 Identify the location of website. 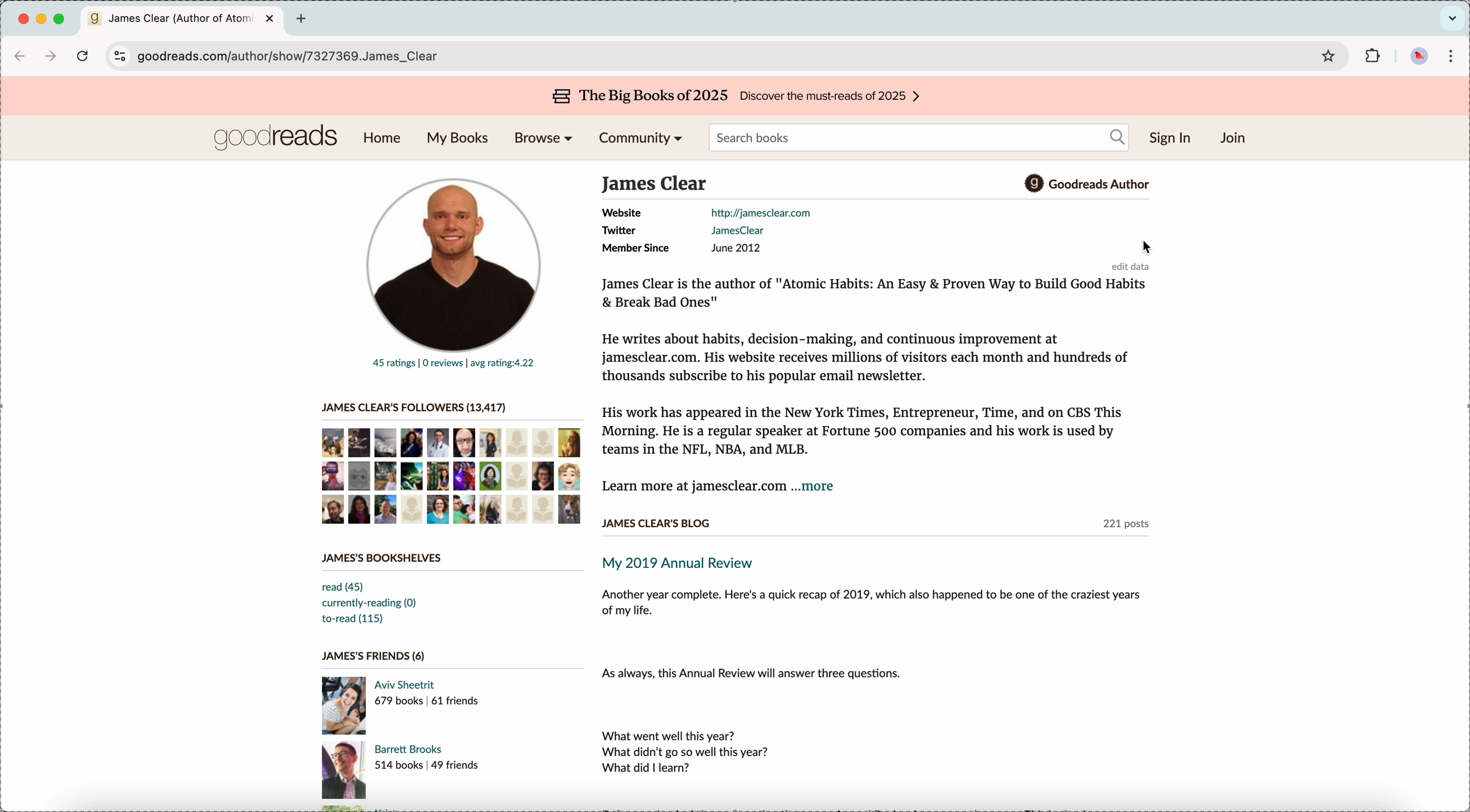
(619, 213).